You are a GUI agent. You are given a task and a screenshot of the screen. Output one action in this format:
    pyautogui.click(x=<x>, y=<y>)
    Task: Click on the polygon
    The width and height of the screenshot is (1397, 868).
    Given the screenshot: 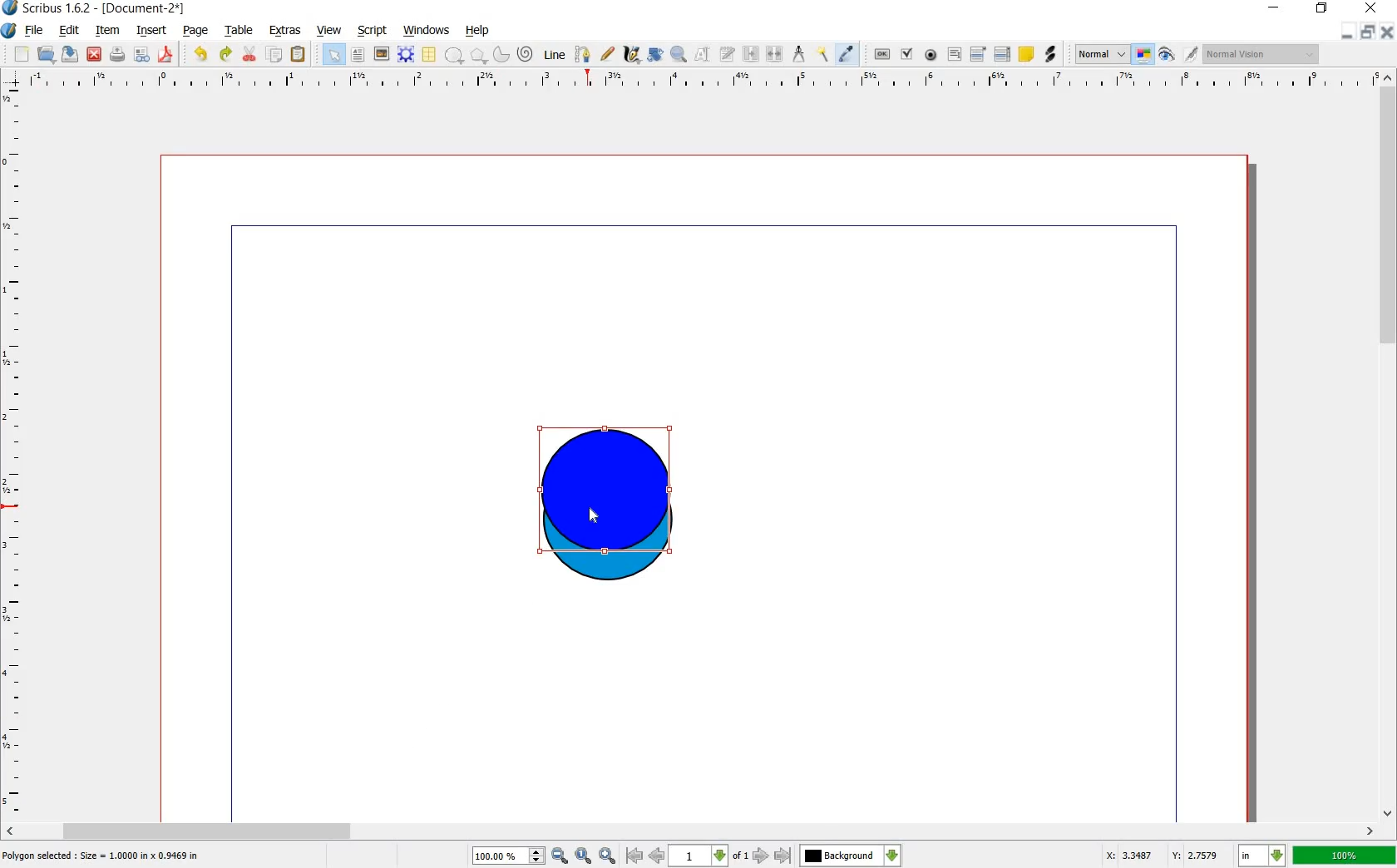 What is the action you would take?
    pyautogui.click(x=477, y=56)
    